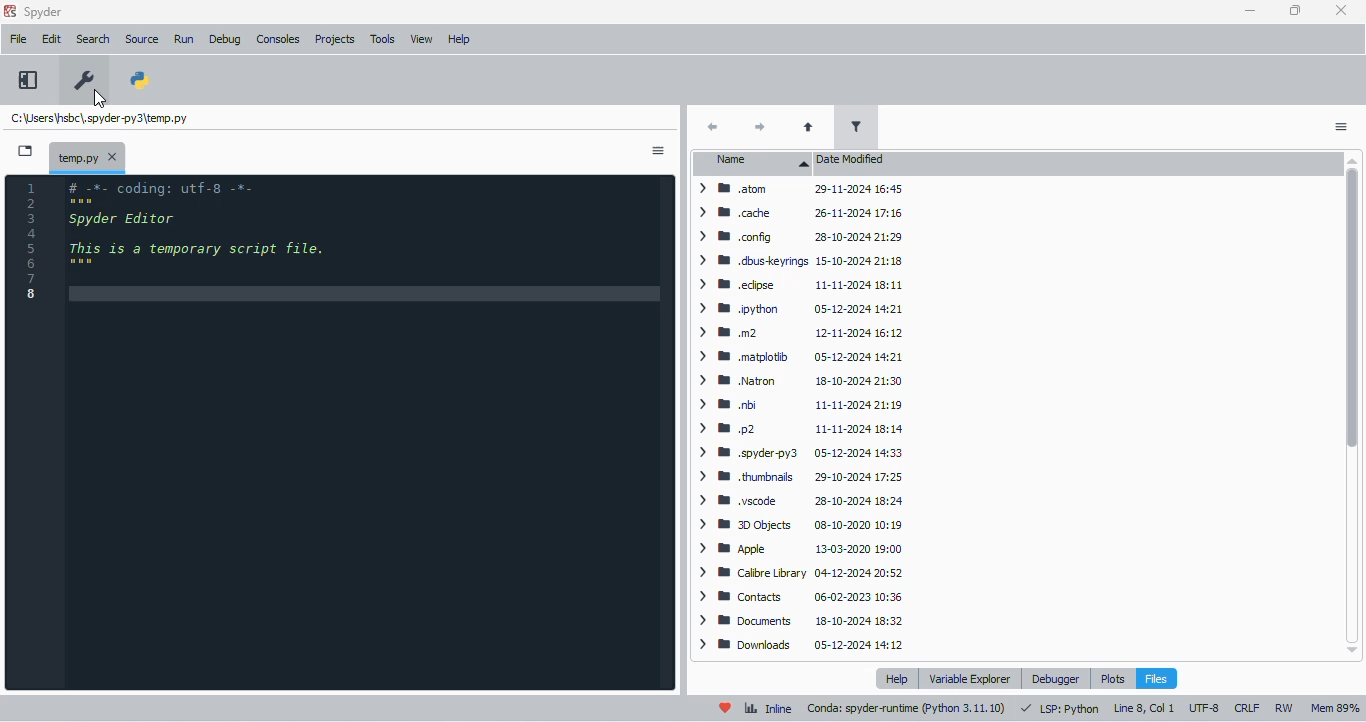 The height and width of the screenshot is (722, 1366). What do you see at coordinates (1143, 707) in the screenshot?
I see `line 8, col 1` at bounding box center [1143, 707].